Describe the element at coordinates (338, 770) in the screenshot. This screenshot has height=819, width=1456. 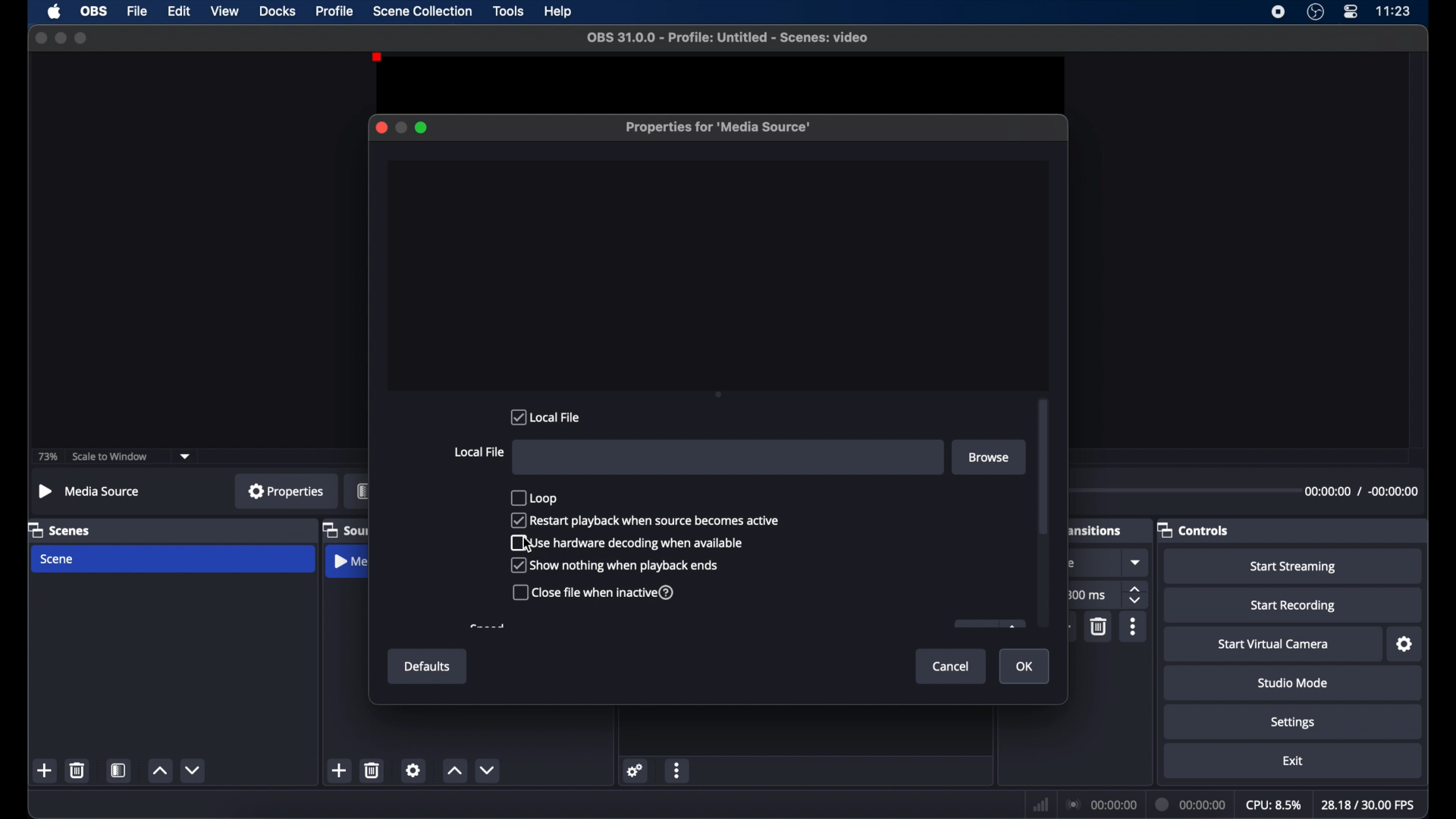
I see `add` at that location.